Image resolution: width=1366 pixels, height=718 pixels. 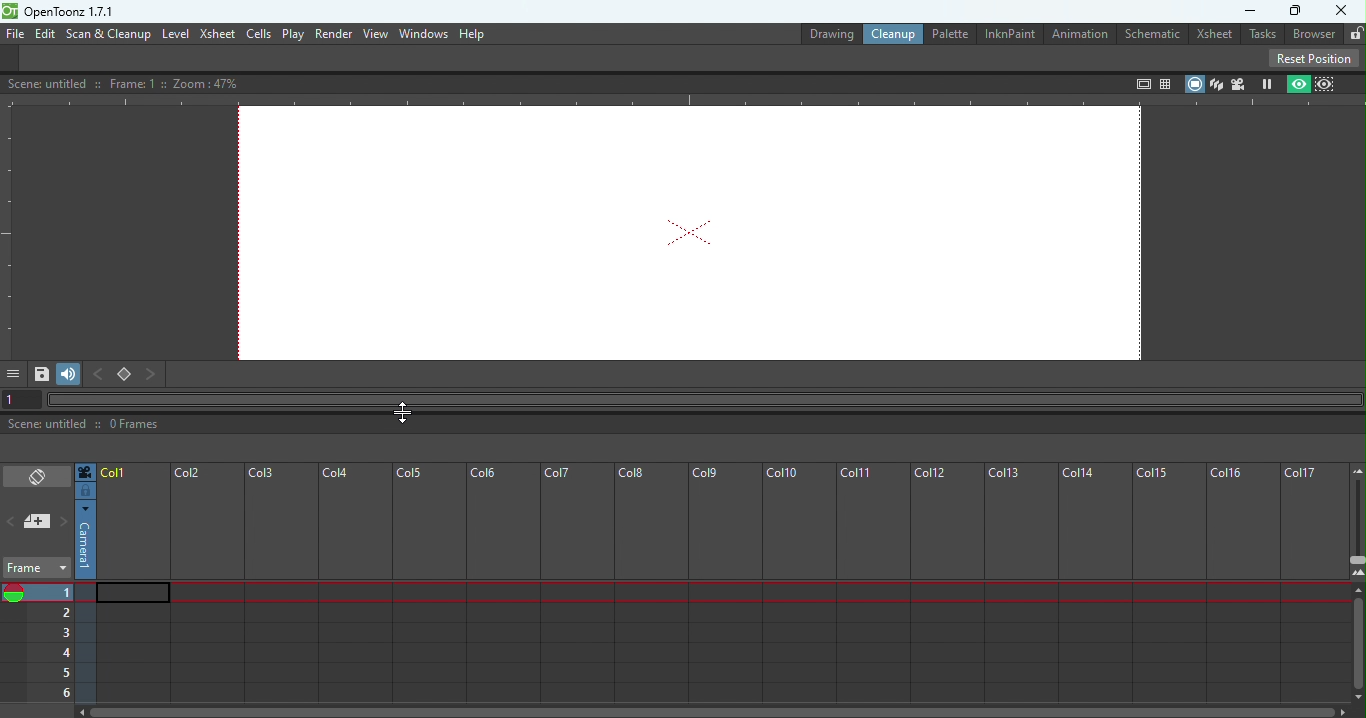 What do you see at coordinates (716, 711) in the screenshot?
I see `Horizontal scroll bar` at bounding box center [716, 711].